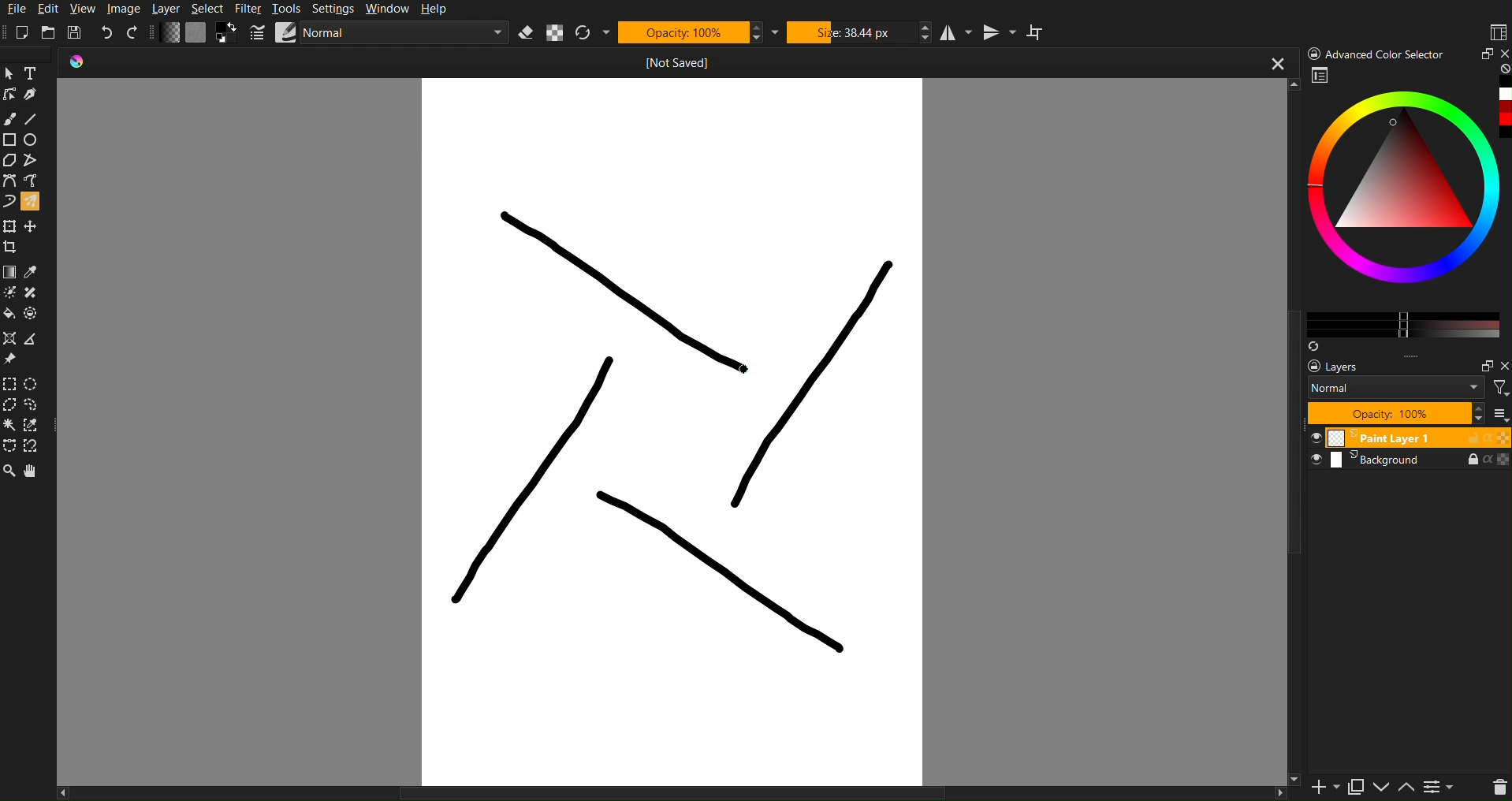 This screenshot has width=1512, height=801. What do you see at coordinates (1395, 413) in the screenshot?
I see `Opacity 100%` at bounding box center [1395, 413].